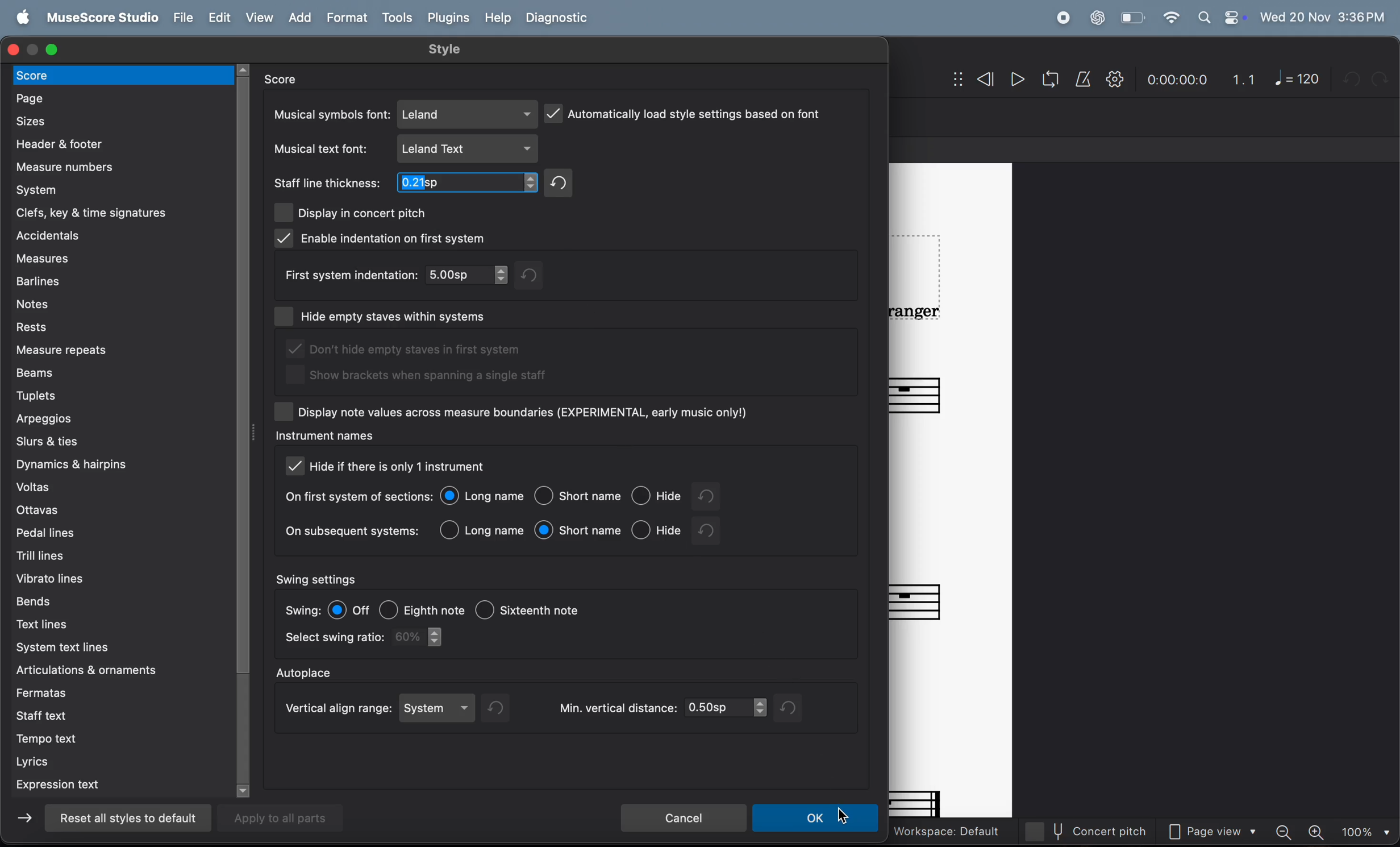 Image resolution: width=1400 pixels, height=847 pixels. What do you see at coordinates (502, 708) in the screenshot?
I see `redo` at bounding box center [502, 708].